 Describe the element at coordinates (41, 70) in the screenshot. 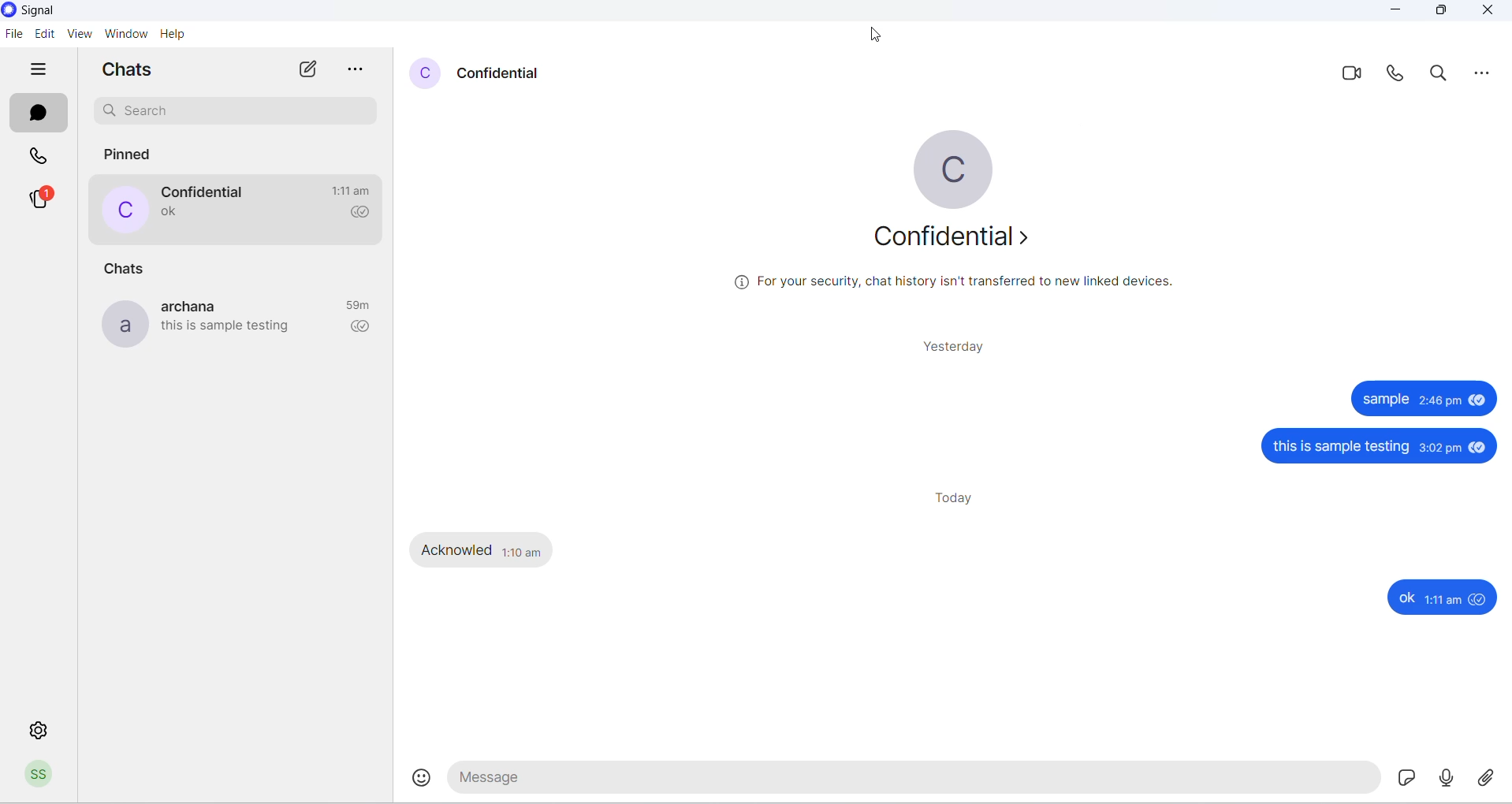

I see `hide` at that location.